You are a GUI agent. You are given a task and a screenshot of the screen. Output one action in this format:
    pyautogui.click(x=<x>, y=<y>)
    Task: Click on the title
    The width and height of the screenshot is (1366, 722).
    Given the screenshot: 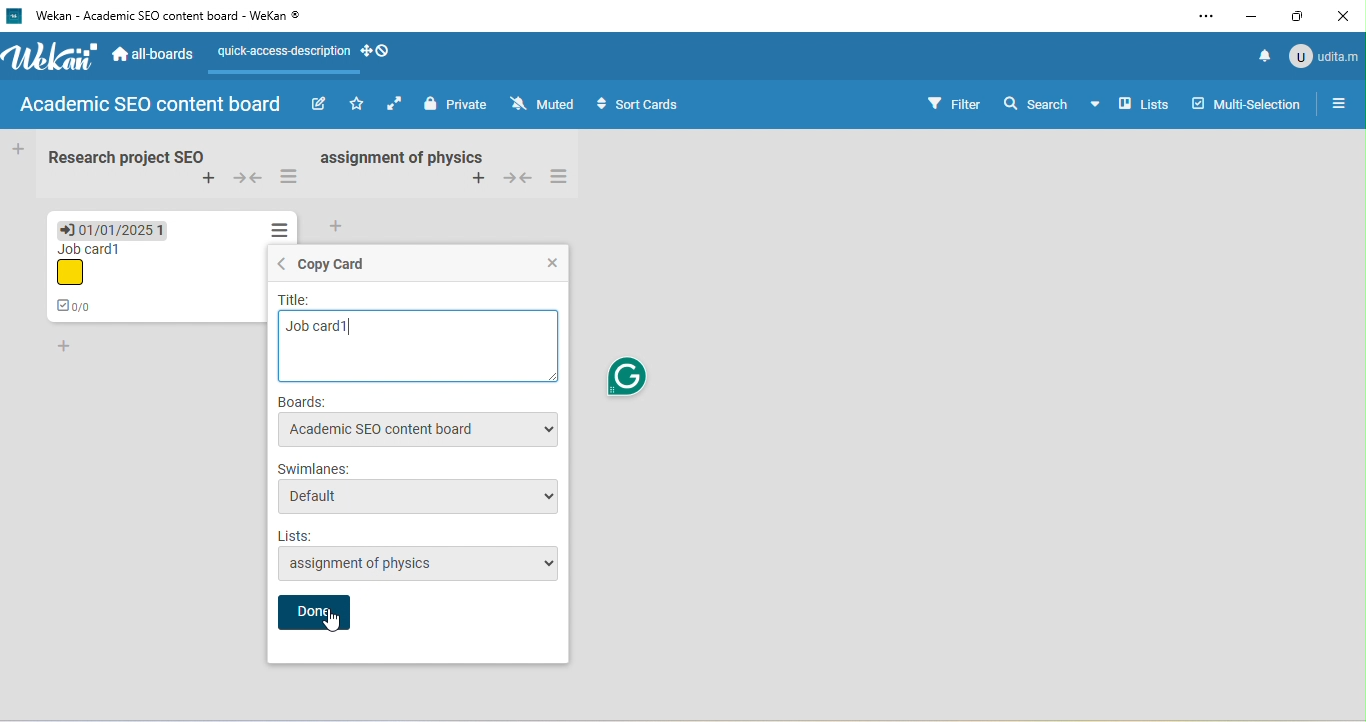 What is the action you would take?
    pyautogui.click(x=299, y=297)
    